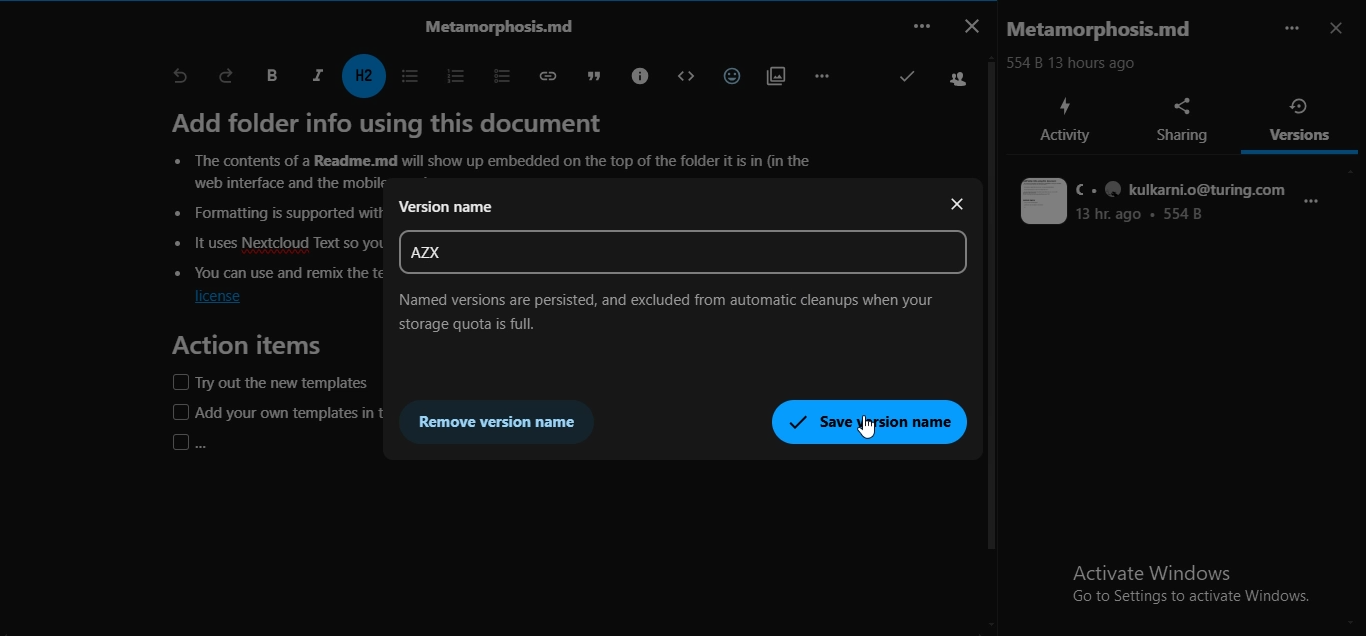 This screenshot has width=1366, height=636. Describe the element at coordinates (920, 25) in the screenshot. I see `...` at that location.